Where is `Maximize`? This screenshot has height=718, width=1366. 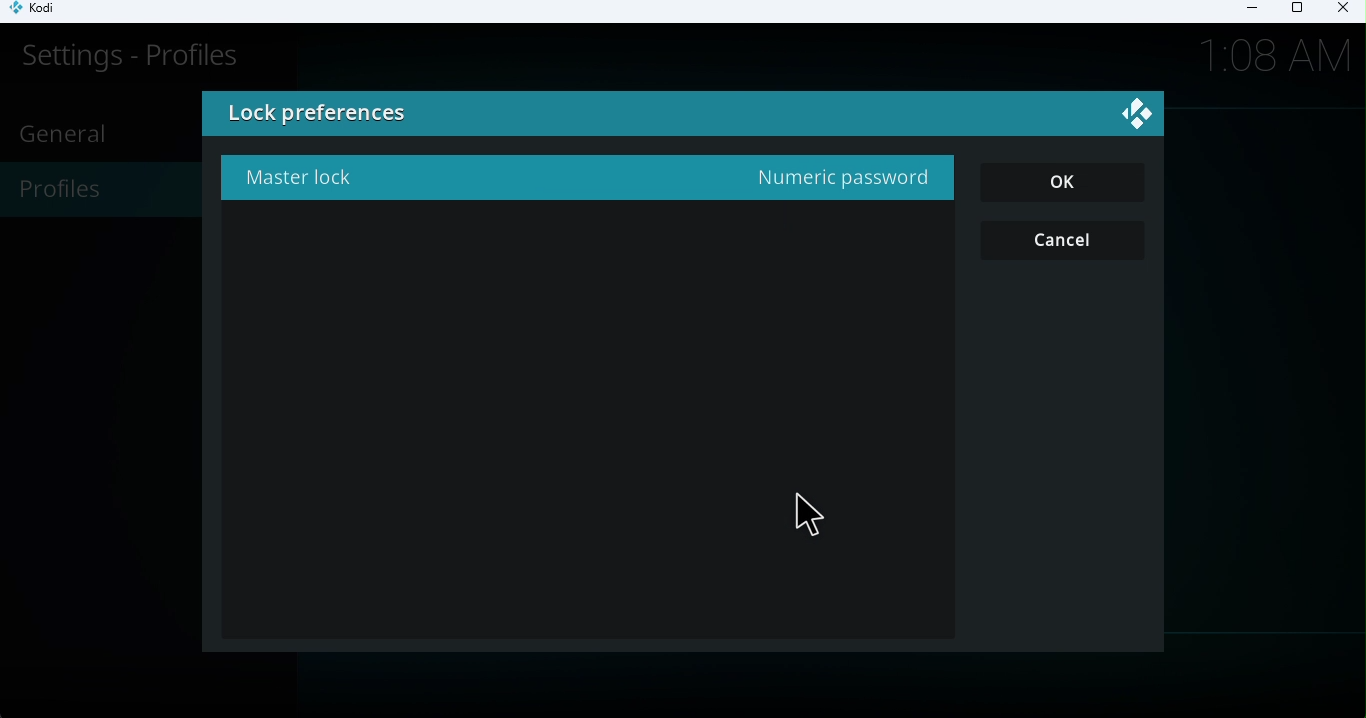
Maximize is located at coordinates (1296, 12).